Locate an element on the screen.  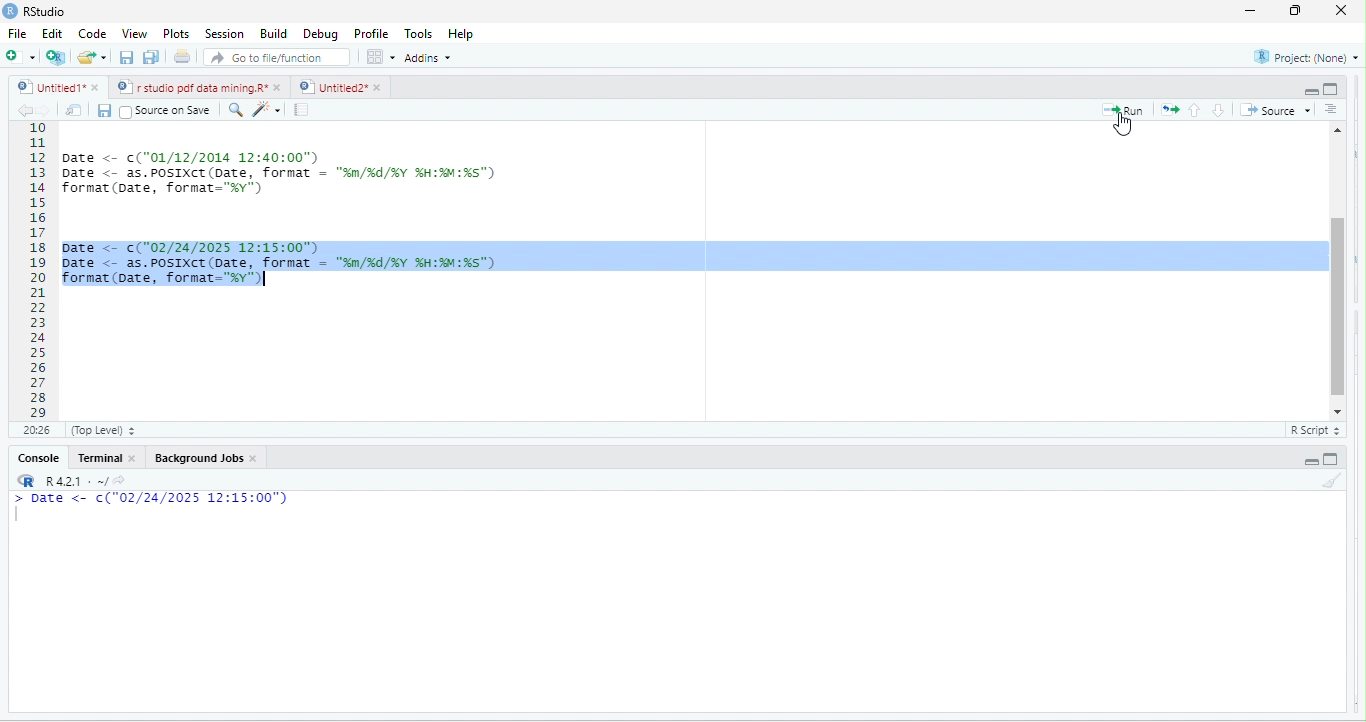
‘Background Jobs is located at coordinates (197, 459).